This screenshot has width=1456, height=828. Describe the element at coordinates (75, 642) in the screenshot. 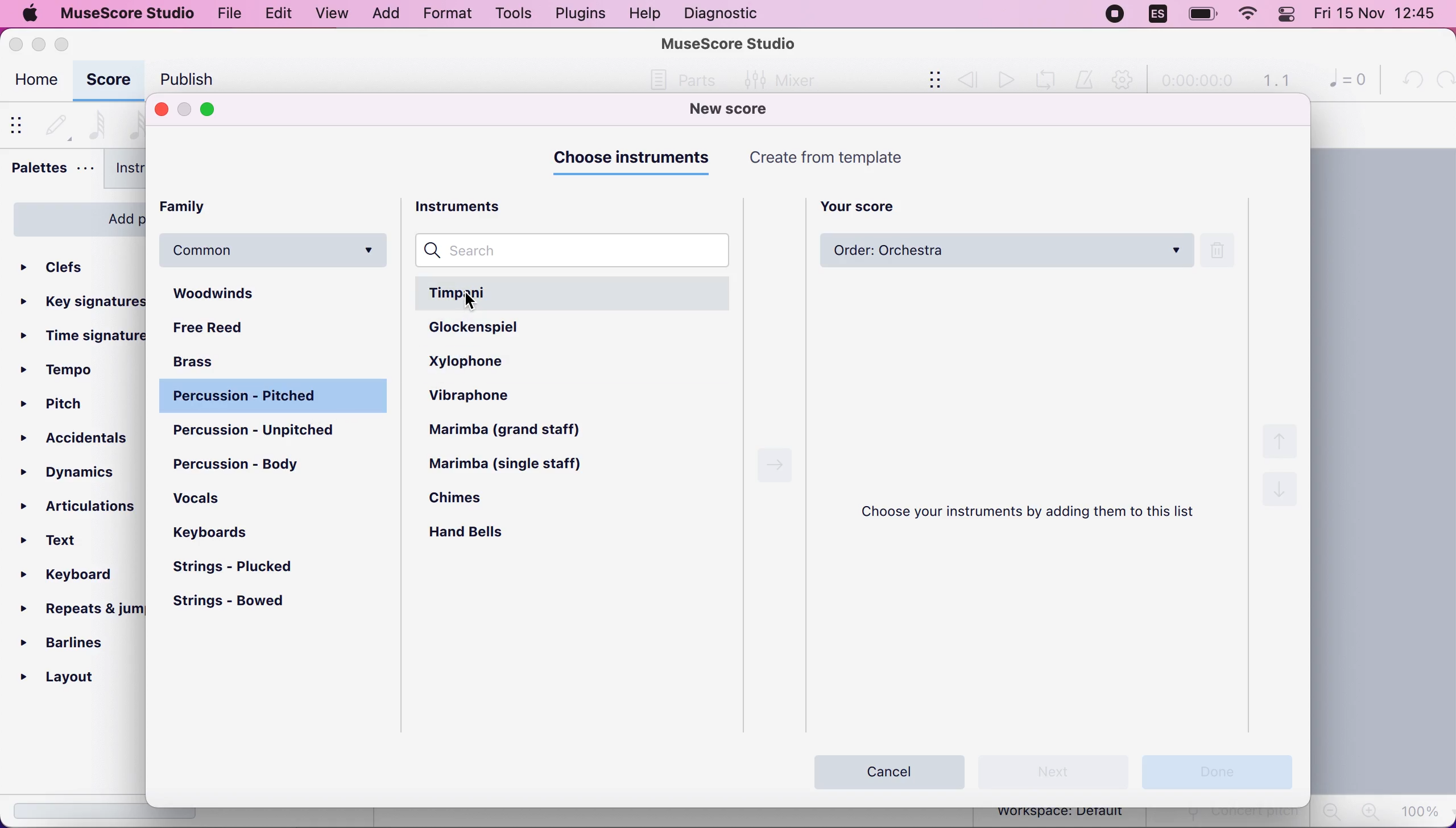

I see `barlines` at that location.